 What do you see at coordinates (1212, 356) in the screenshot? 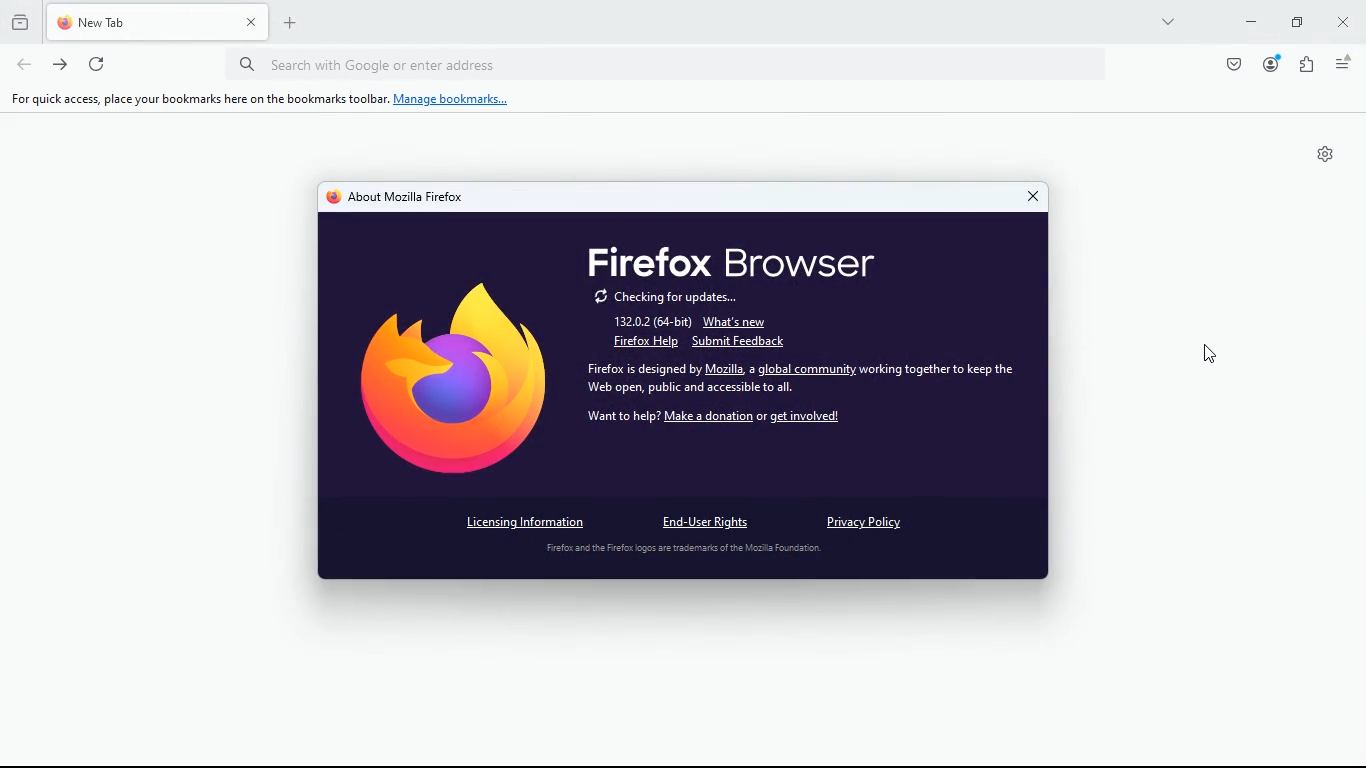
I see `Cursor` at bounding box center [1212, 356].